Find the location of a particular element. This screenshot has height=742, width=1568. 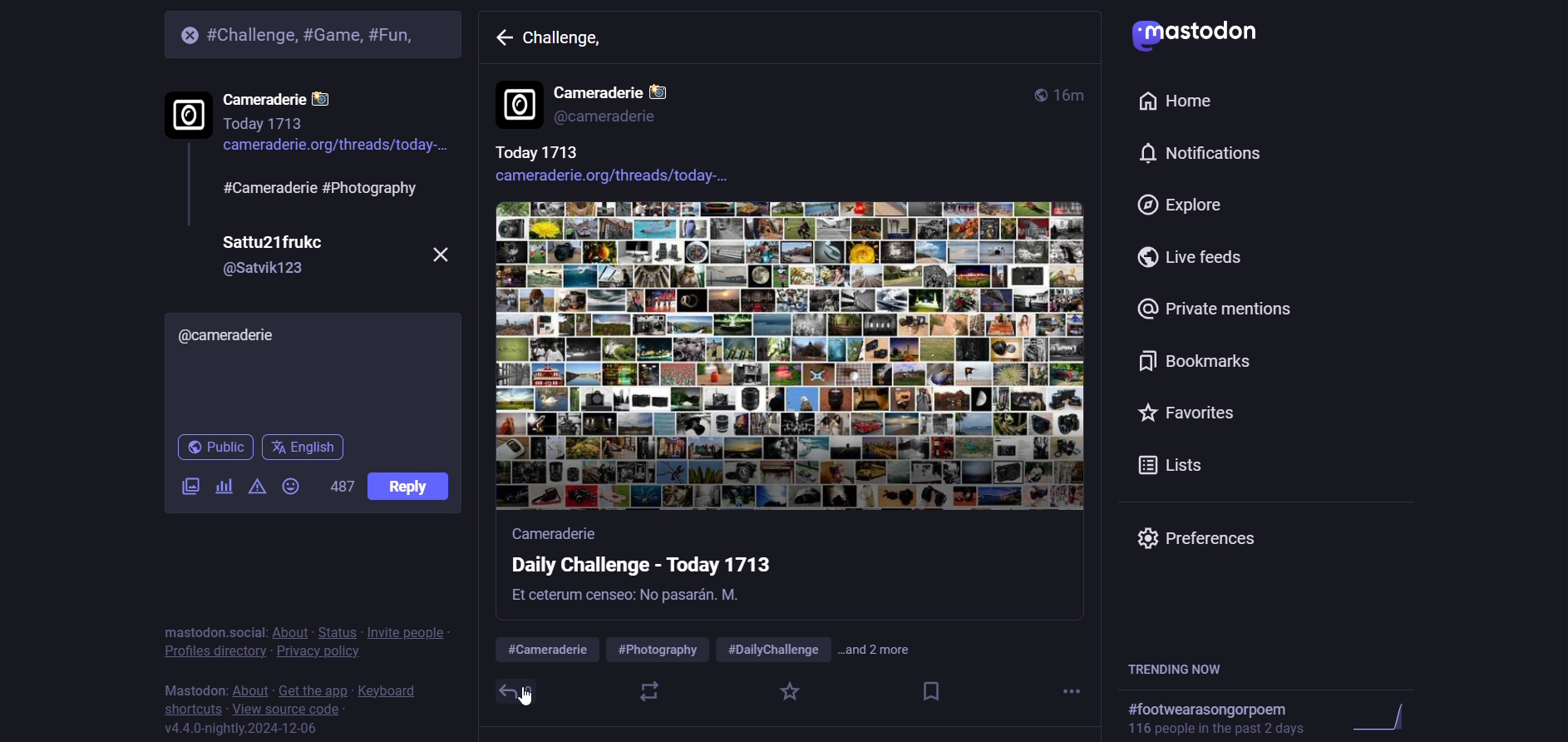

post is located at coordinates (411, 486).